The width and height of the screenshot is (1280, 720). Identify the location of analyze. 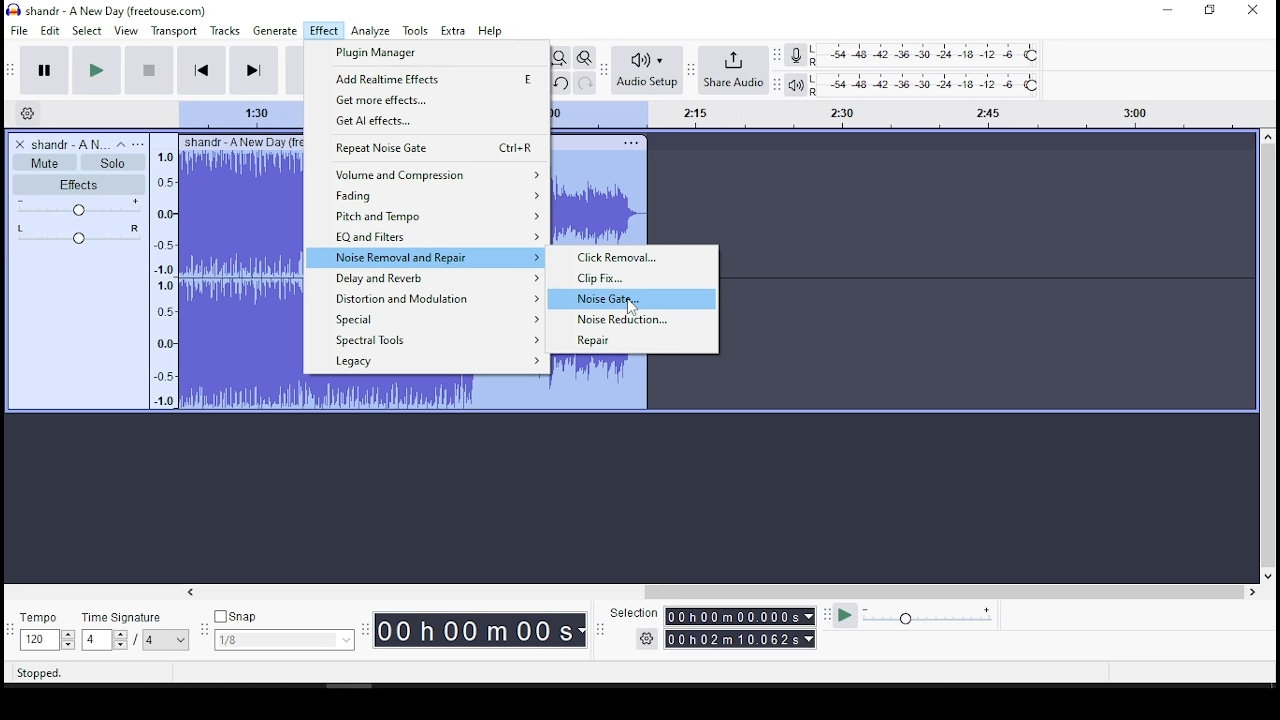
(371, 30).